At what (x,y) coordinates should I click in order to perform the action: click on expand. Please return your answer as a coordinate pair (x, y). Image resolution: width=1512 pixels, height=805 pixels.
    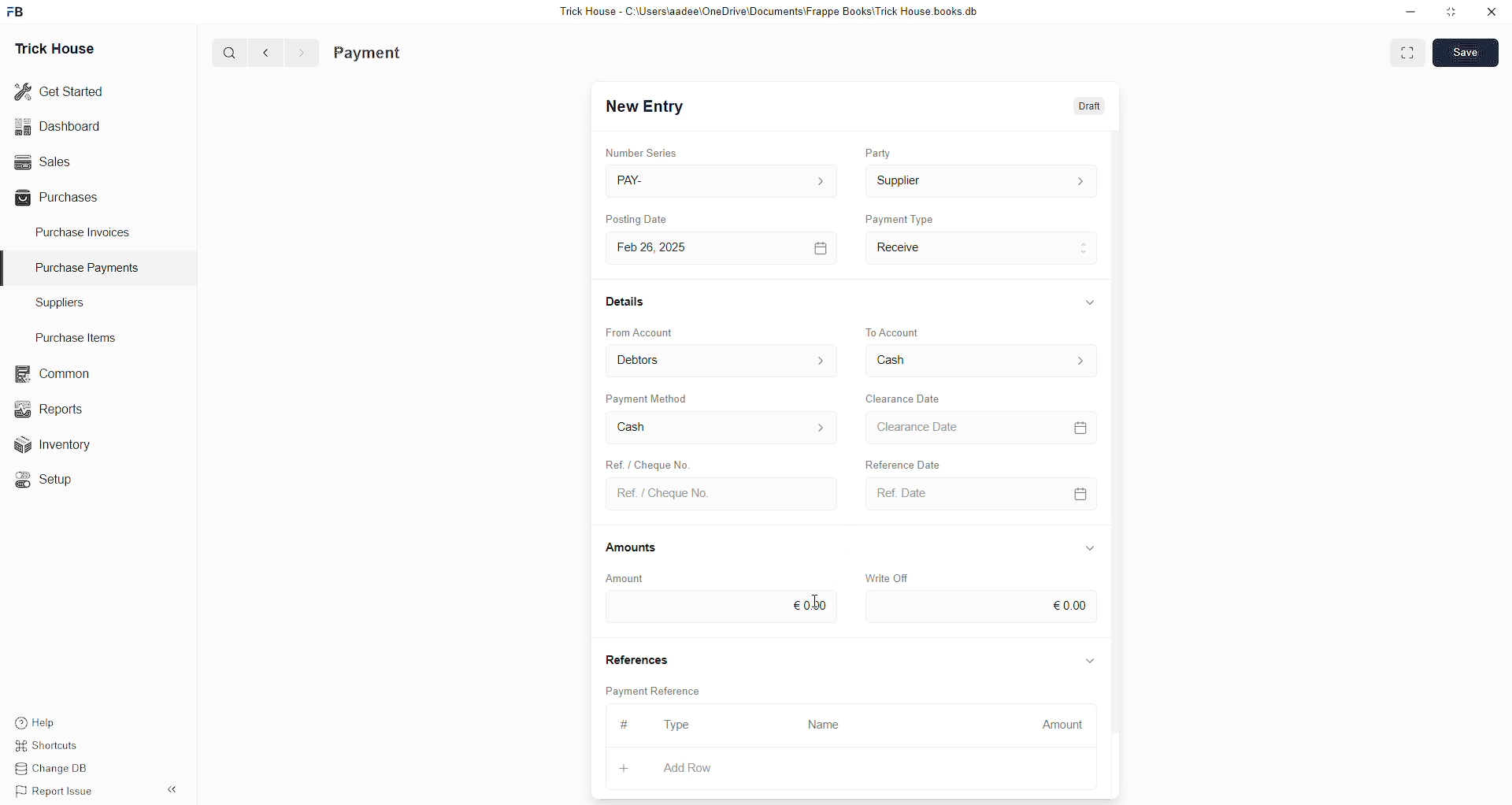
    Looking at the image, I should click on (1089, 658).